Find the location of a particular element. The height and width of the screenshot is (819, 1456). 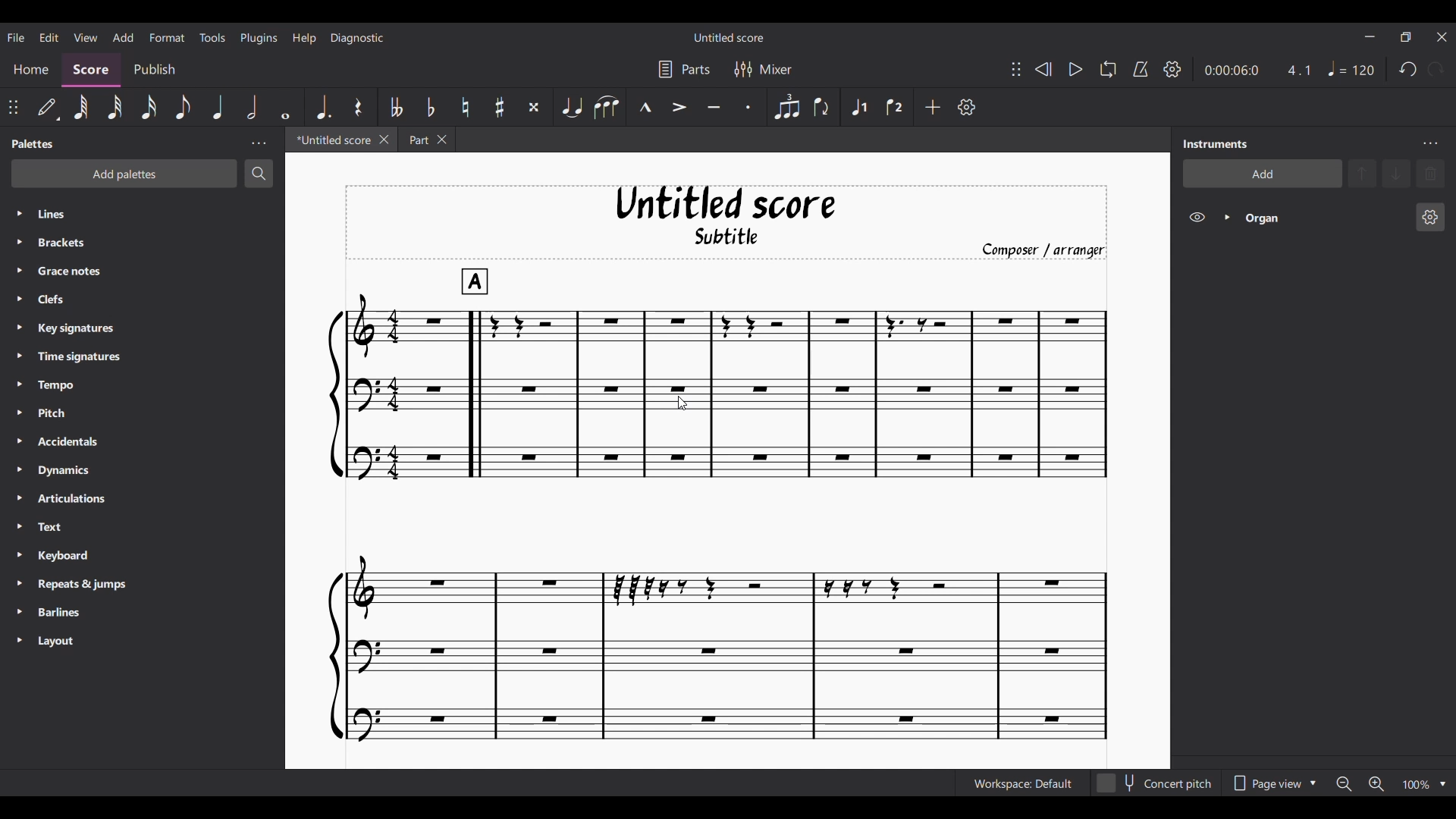

Add is located at coordinates (933, 107).